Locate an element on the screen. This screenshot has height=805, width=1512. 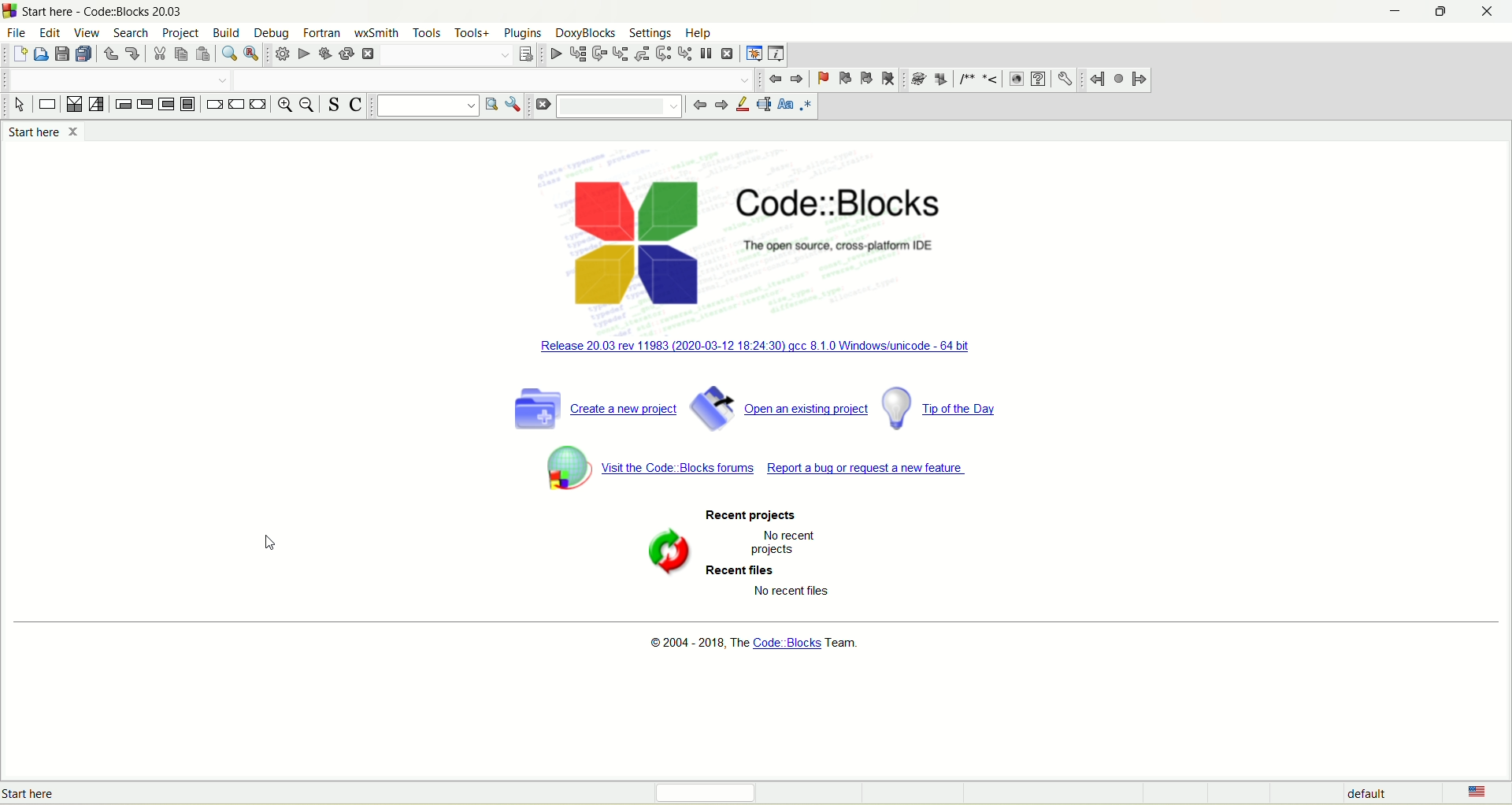
text is located at coordinates (762, 646).